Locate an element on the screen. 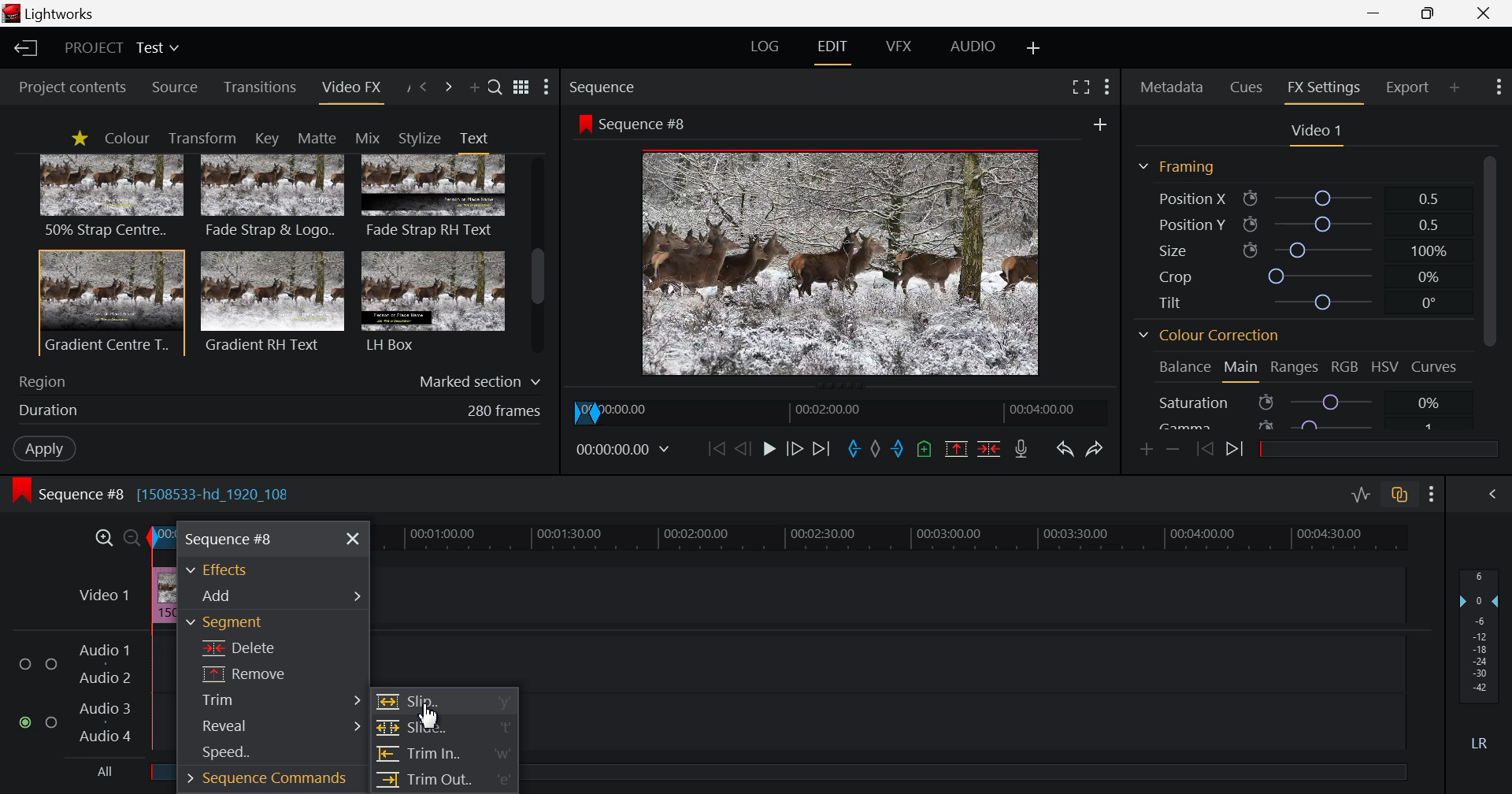 This screenshot has width=1512, height=794. RGB is located at coordinates (1345, 369).